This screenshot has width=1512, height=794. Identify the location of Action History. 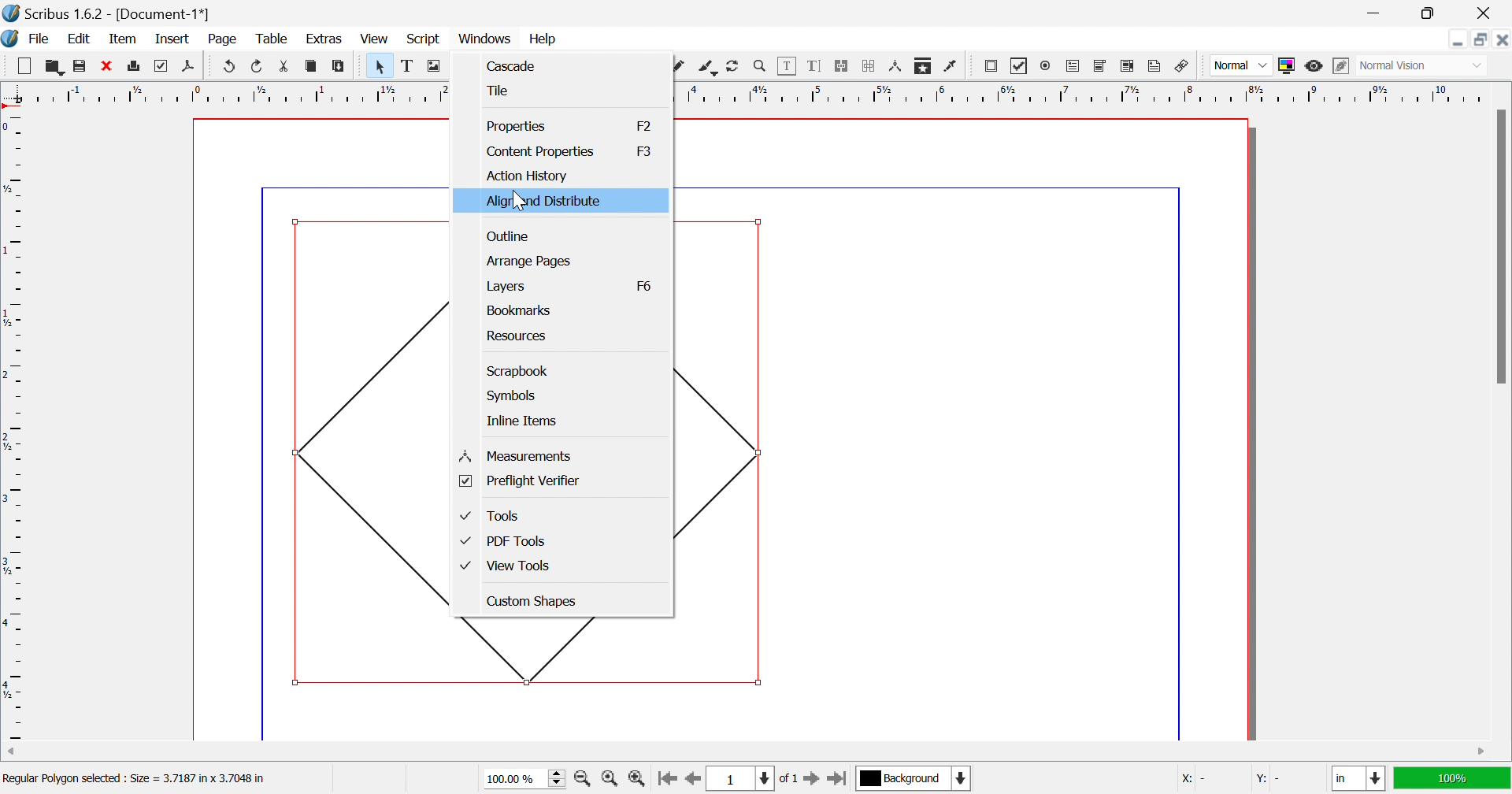
(528, 176).